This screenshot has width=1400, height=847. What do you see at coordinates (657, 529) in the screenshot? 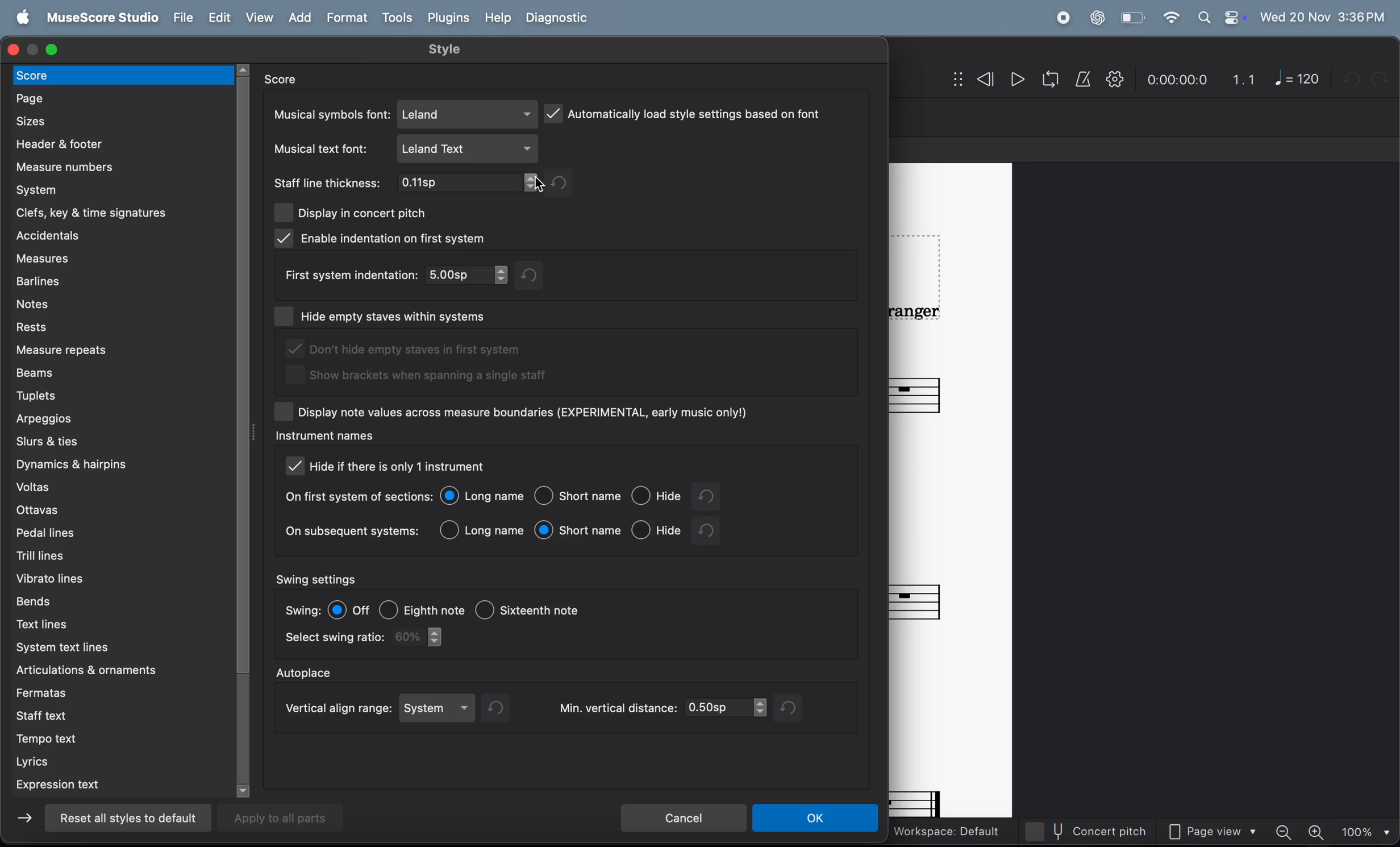
I see `hide` at bounding box center [657, 529].